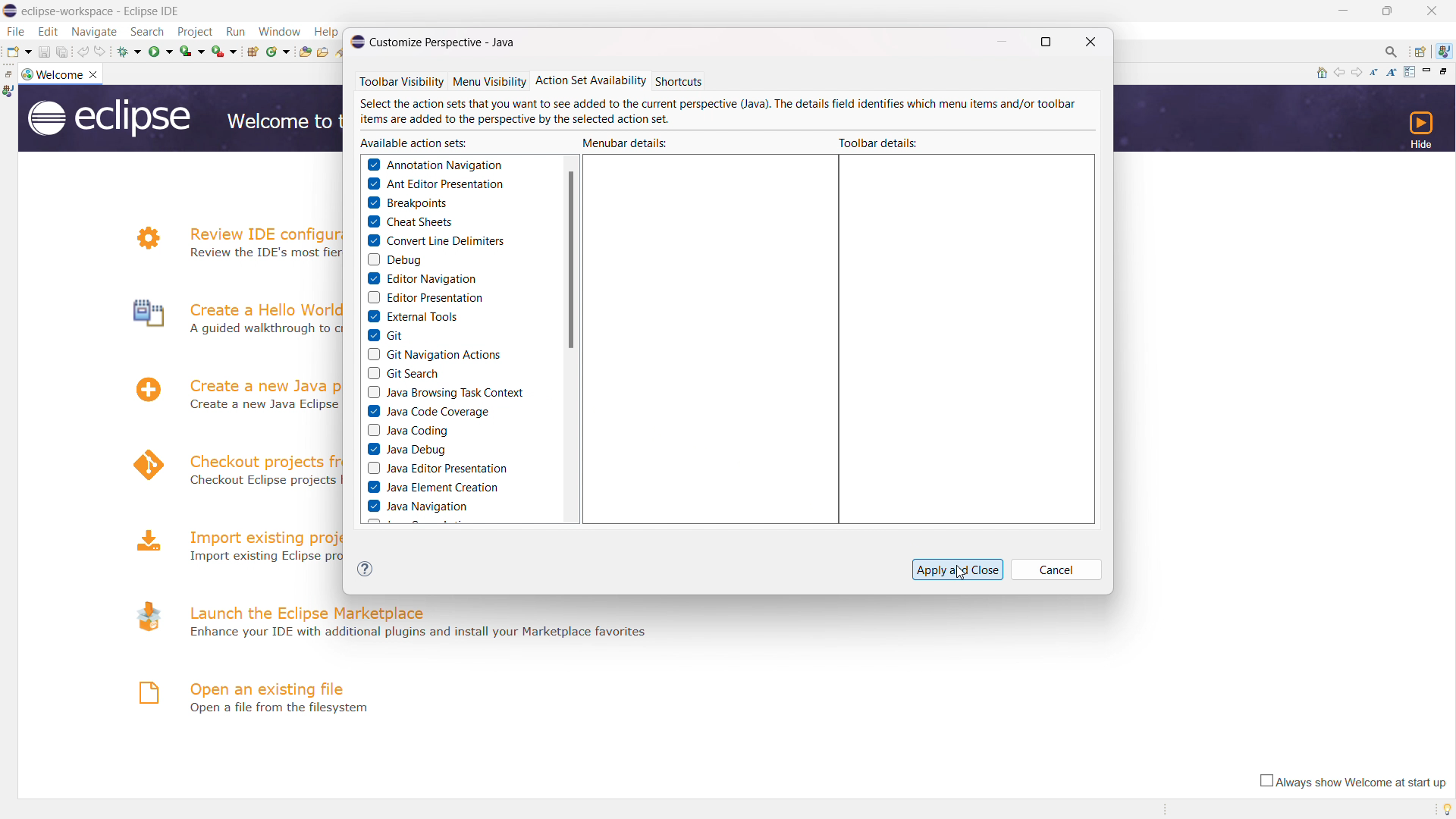 This screenshot has height=819, width=1456. I want to click on java debug, so click(405, 449).